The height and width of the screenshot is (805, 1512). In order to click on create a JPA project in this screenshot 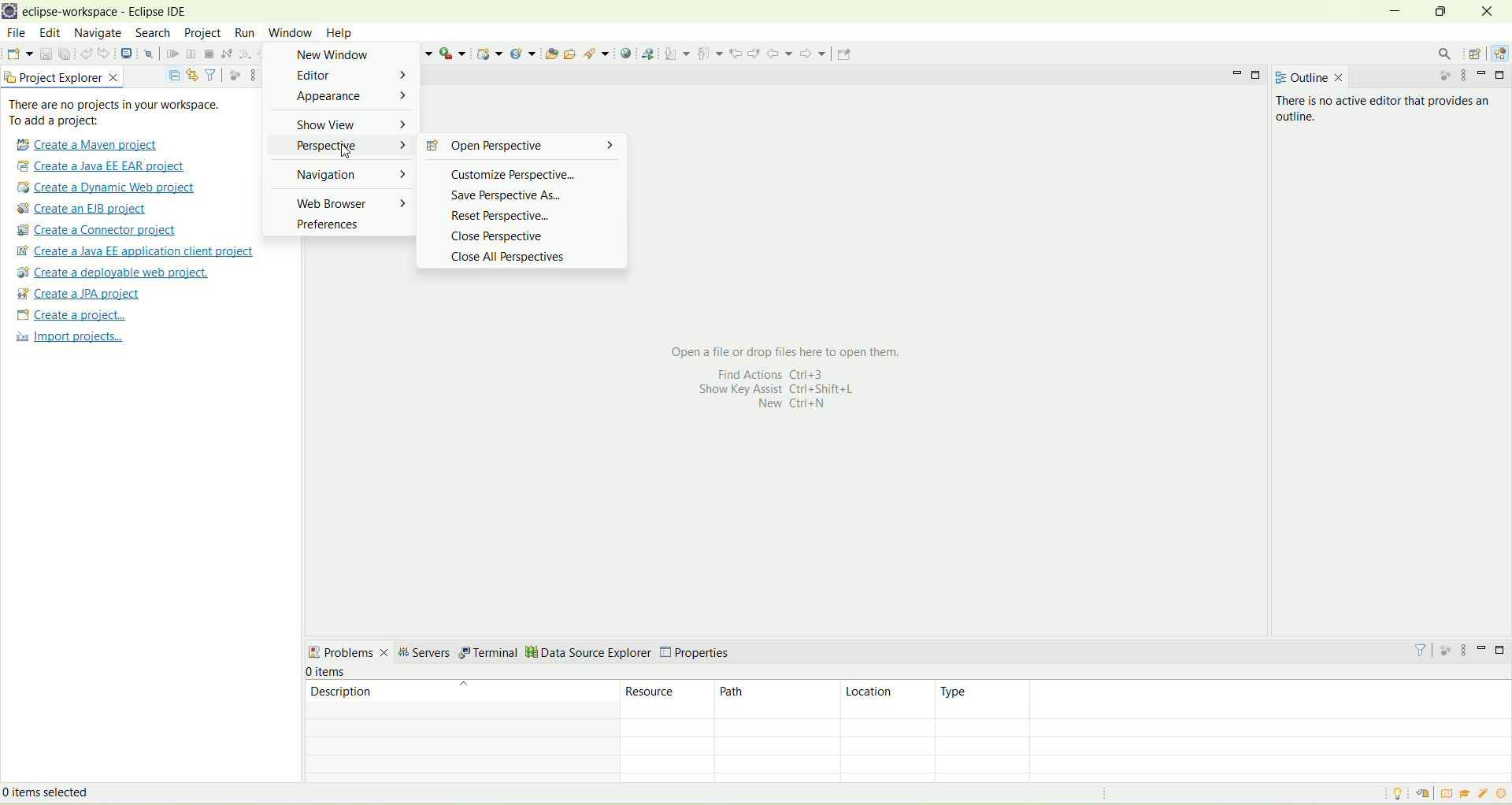, I will do `click(80, 294)`.